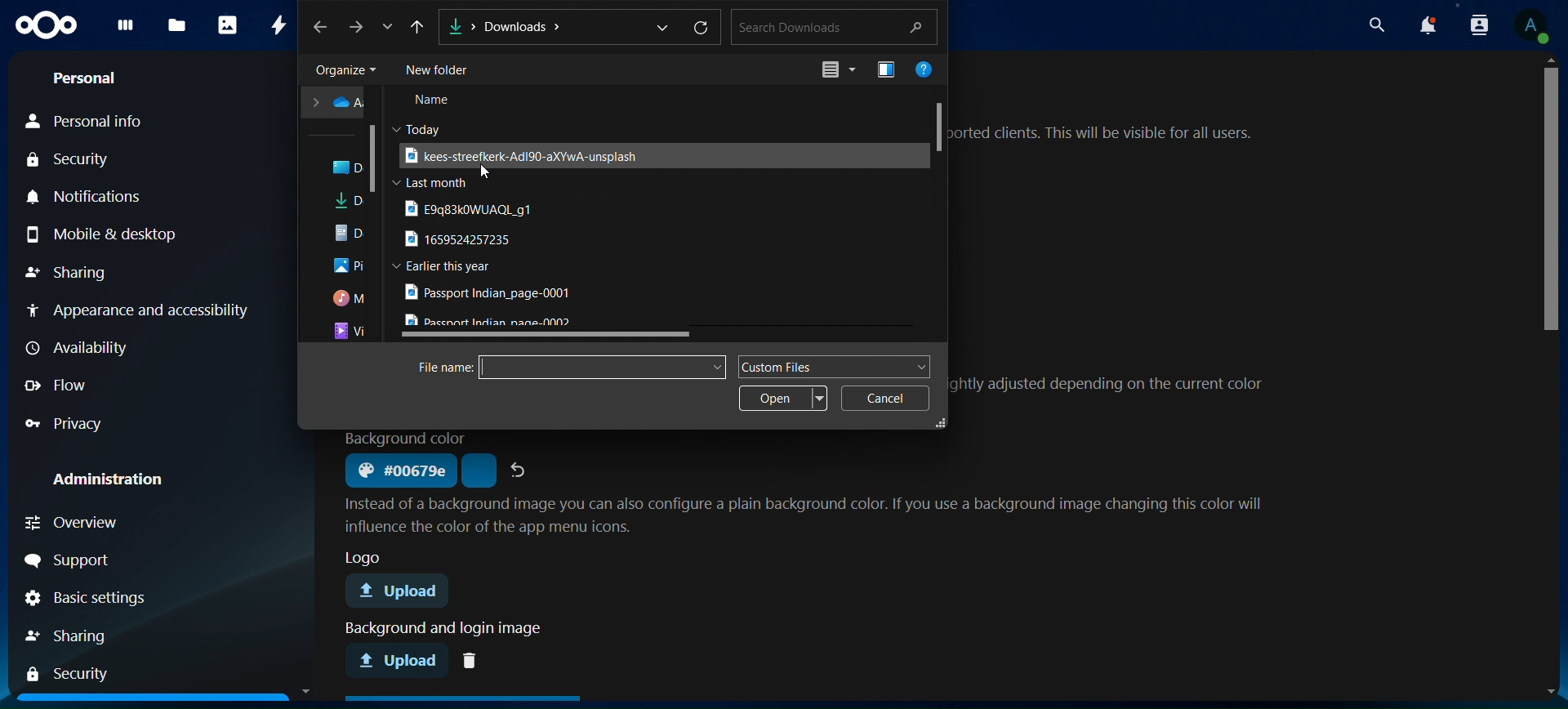 This screenshot has width=1568, height=709. What do you see at coordinates (884, 398) in the screenshot?
I see `cancel` at bounding box center [884, 398].